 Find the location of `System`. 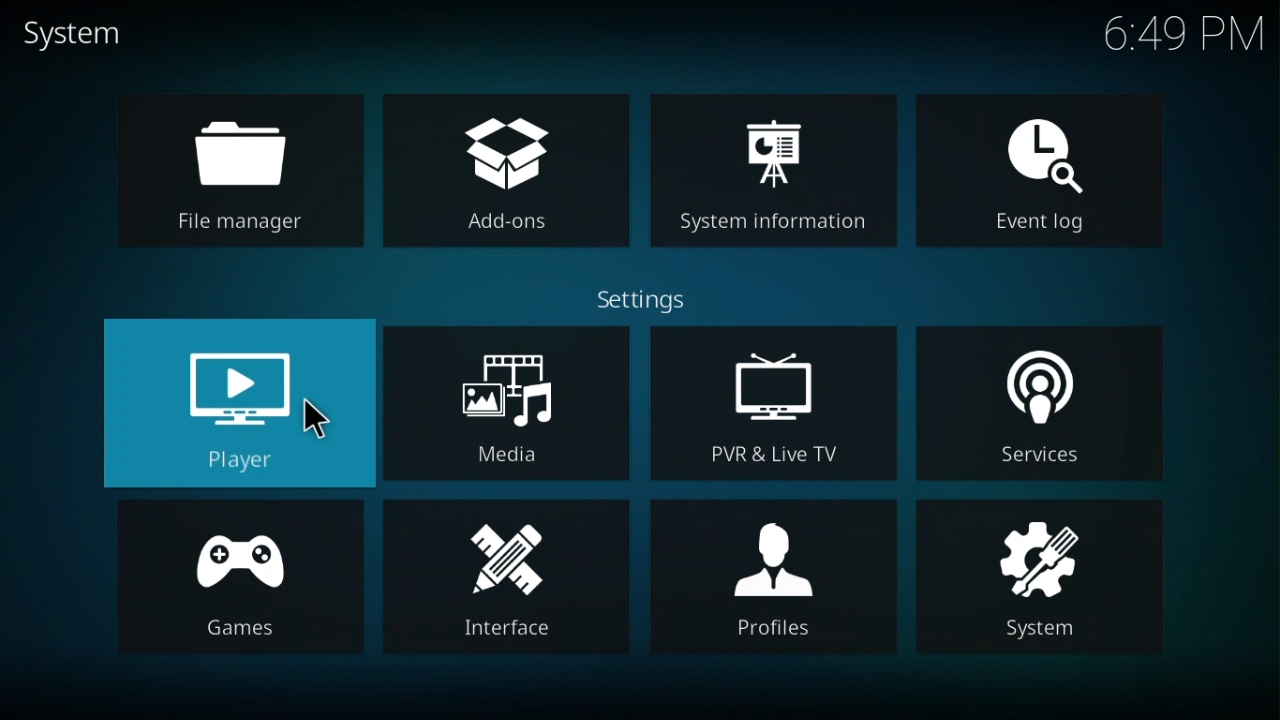

System is located at coordinates (1043, 583).